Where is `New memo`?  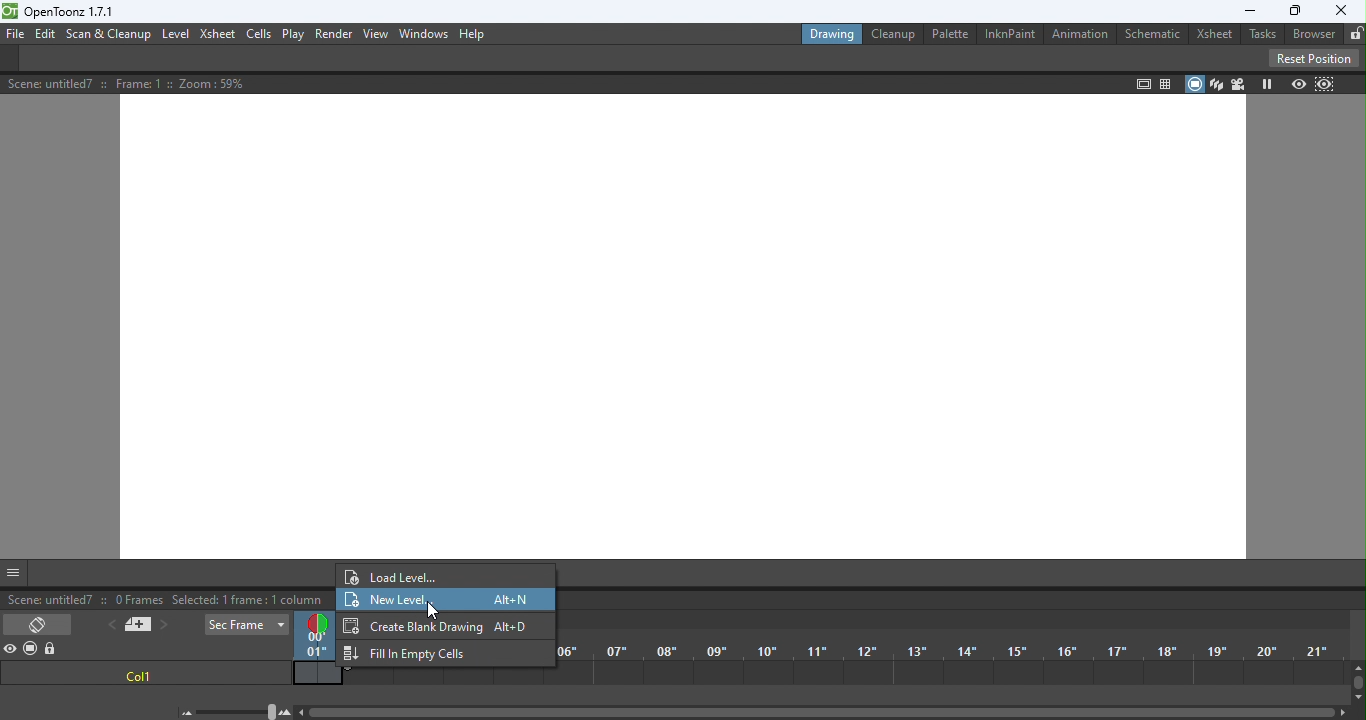
New memo is located at coordinates (137, 627).